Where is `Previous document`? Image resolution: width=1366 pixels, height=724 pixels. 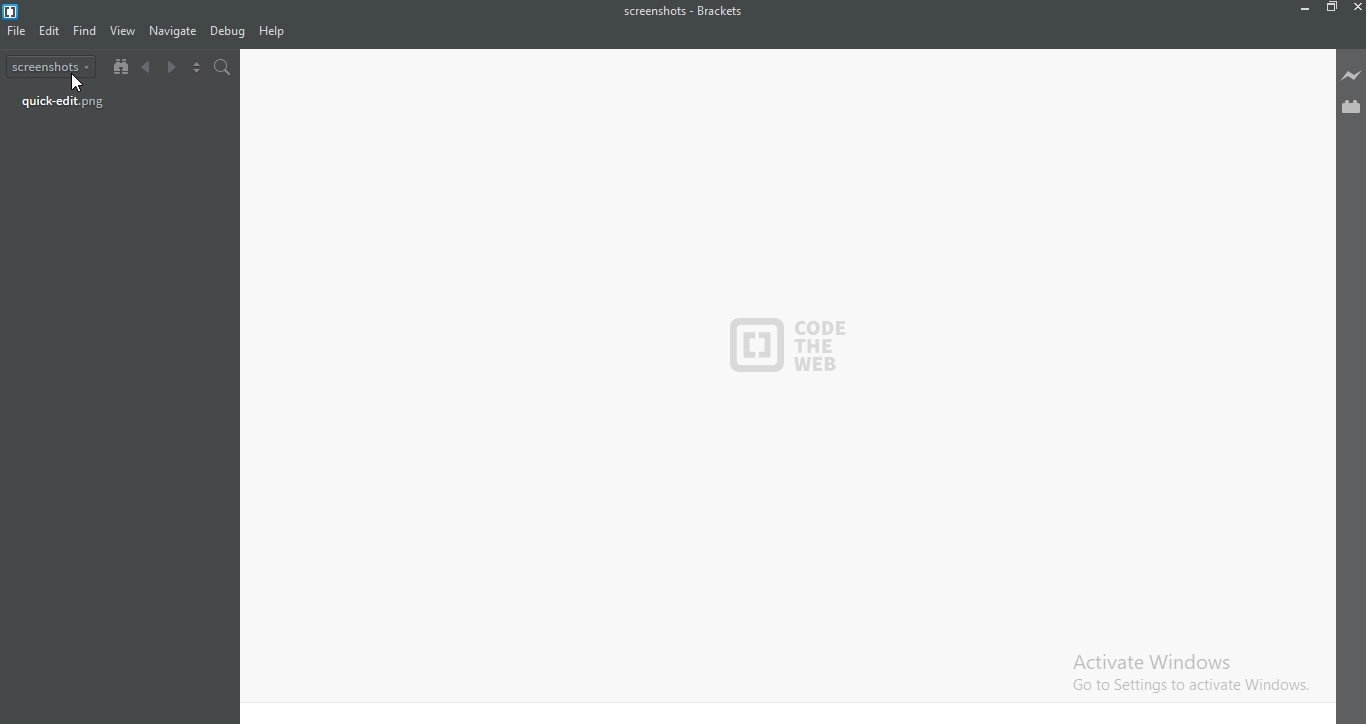 Previous document is located at coordinates (148, 68).